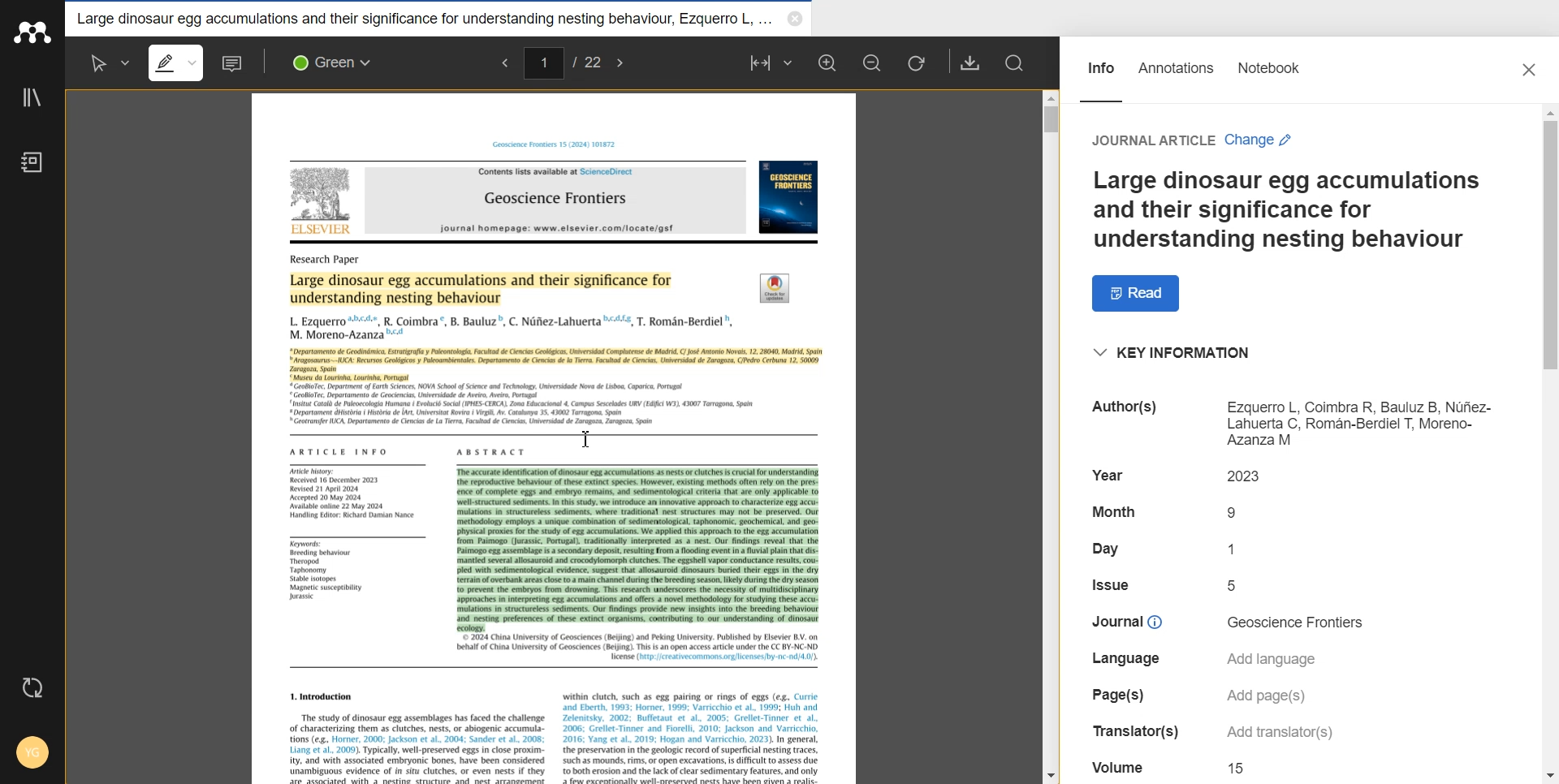 This screenshot has width=1559, height=784. I want to click on text, so click(1113, 549).